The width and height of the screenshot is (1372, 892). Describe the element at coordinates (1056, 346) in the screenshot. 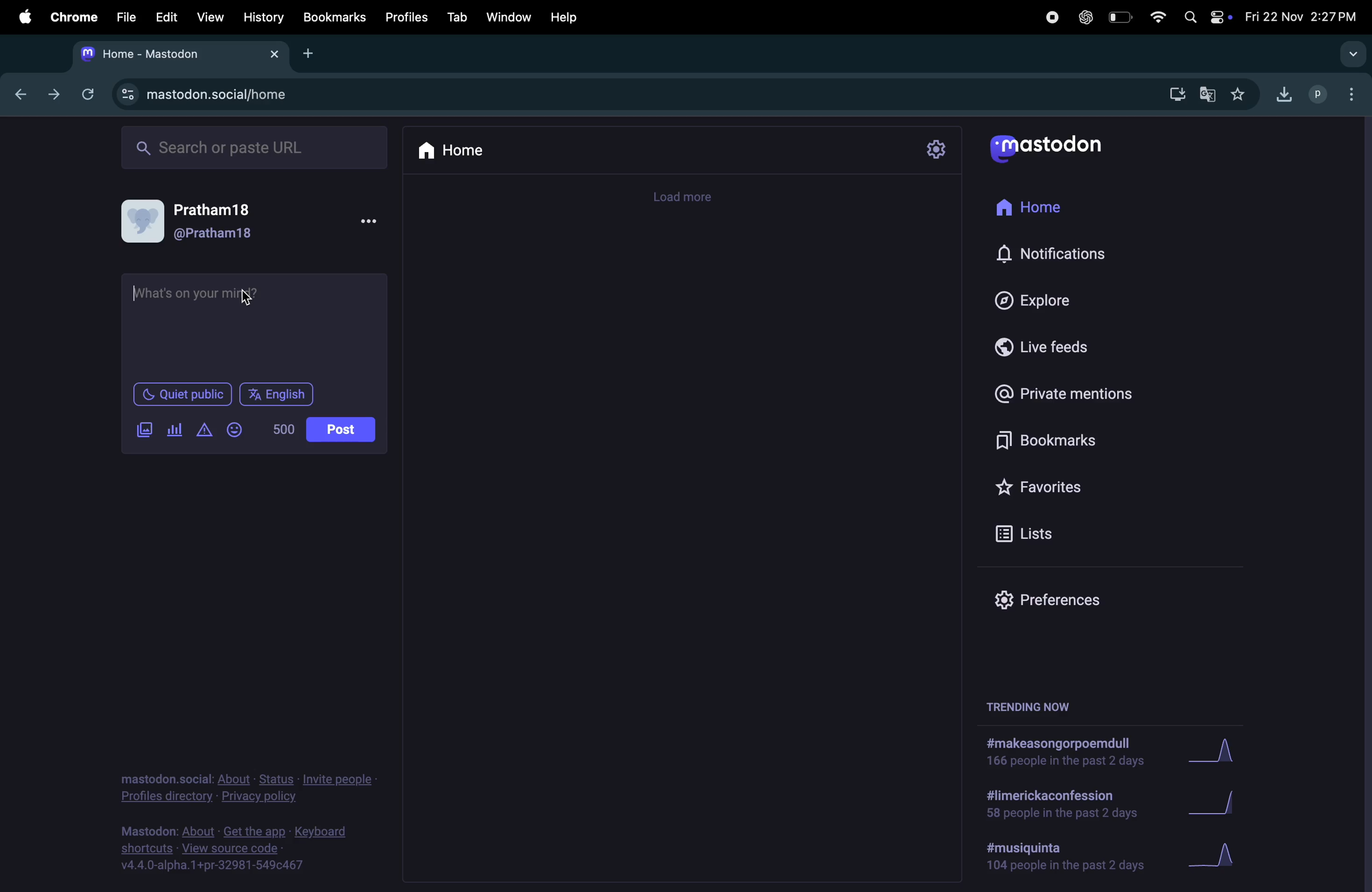

I see `live feeds` at that location.